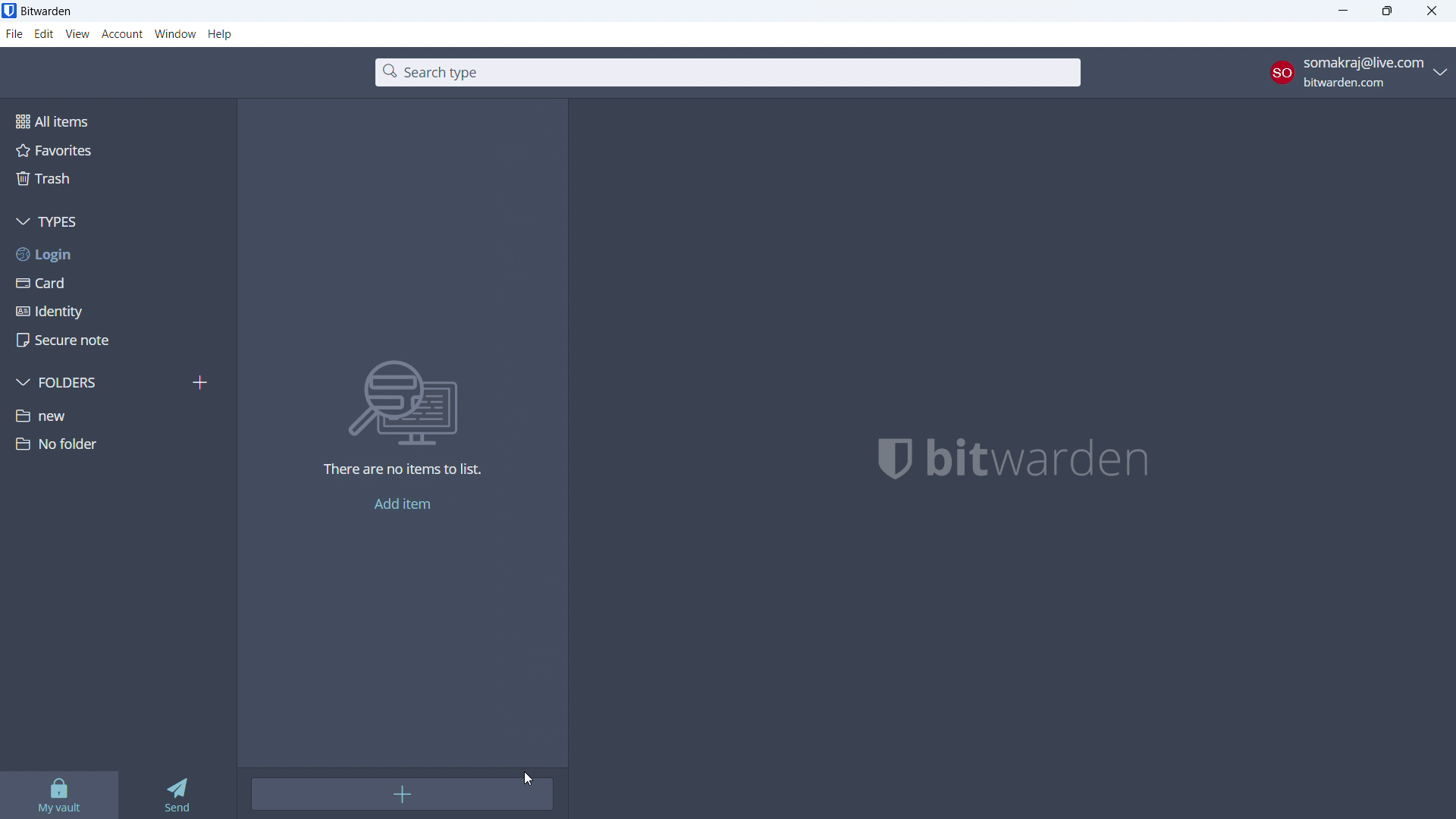 The image size is (1456, 819). Describe the element at coordinates (885, 460) in the screenshot. I see `Bitwarden logo` at that location.